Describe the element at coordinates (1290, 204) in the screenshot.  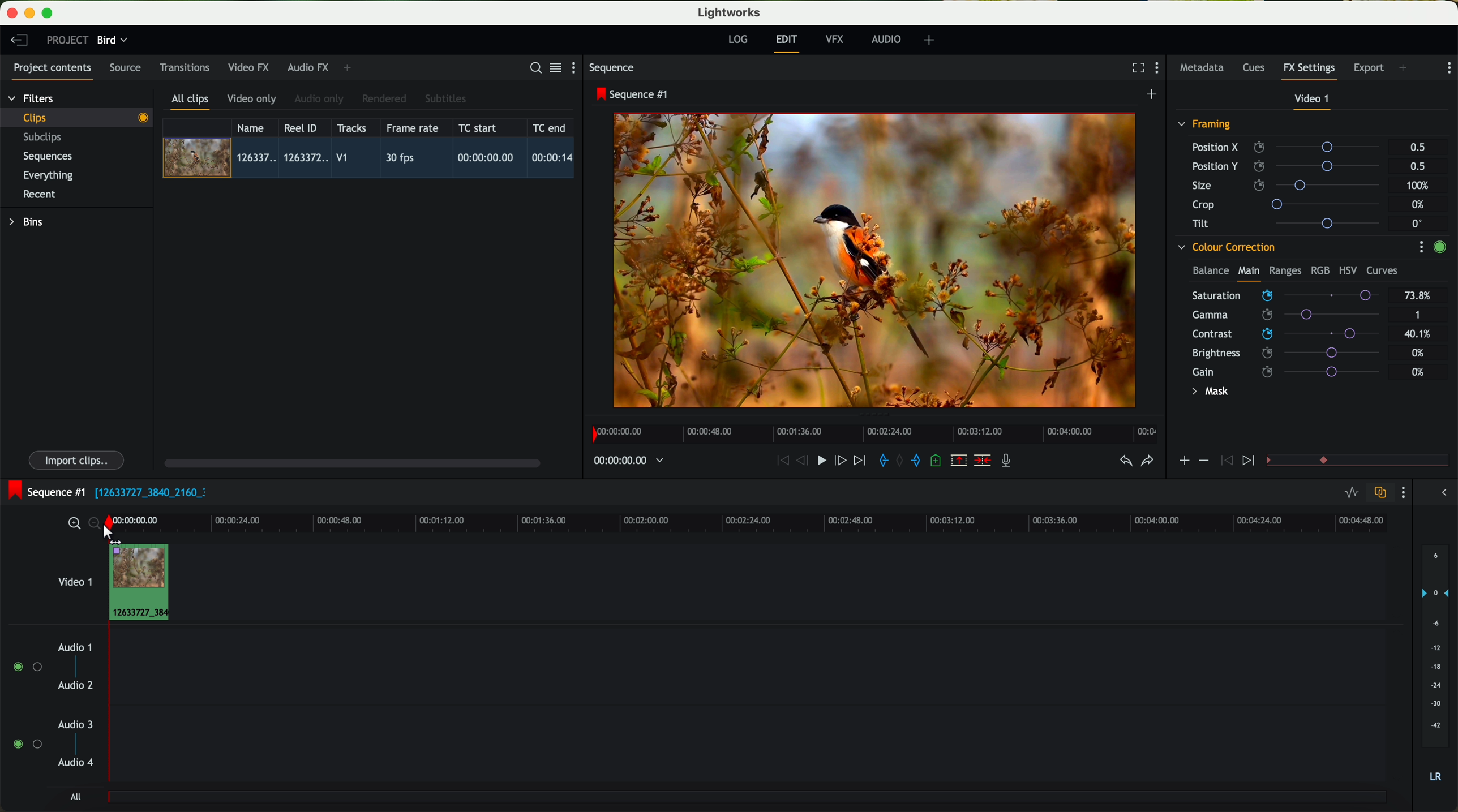
I see `crop` at that location.